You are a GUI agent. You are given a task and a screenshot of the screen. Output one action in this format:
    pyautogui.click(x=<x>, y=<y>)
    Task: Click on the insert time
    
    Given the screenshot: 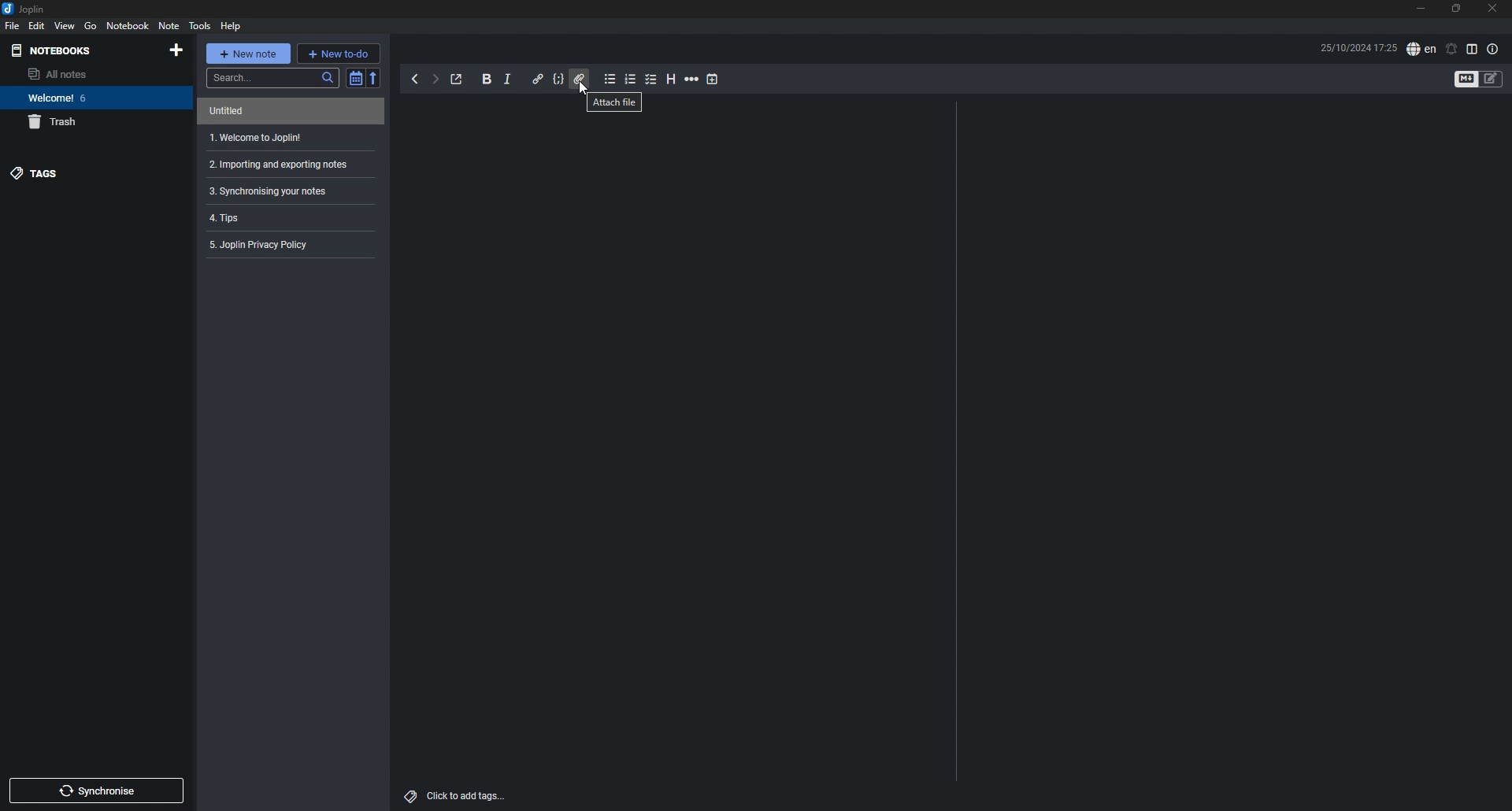 What is the action you would take?
    pyautogui.click(x=713, y=80)
    